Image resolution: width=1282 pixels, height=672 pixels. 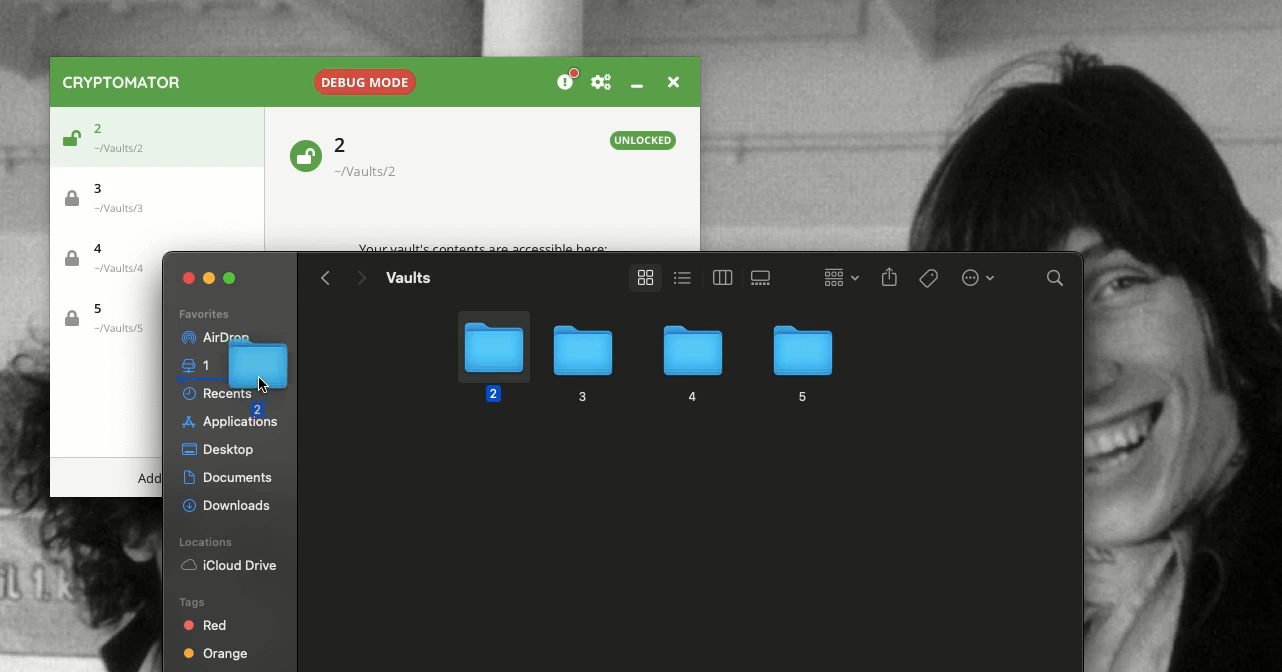 I want to click on Options, so click(x=976, y=276).